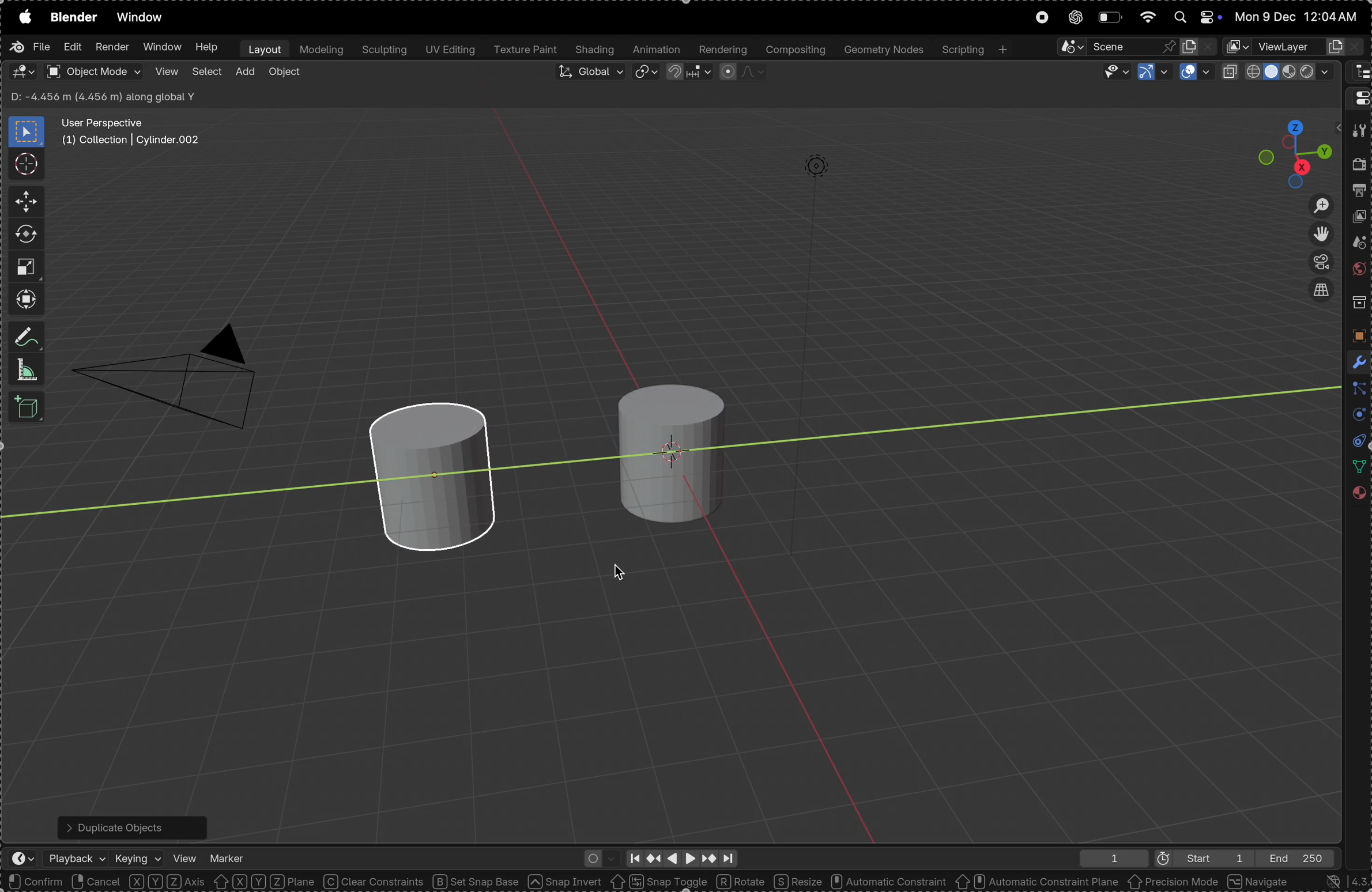 The height and width of the screenshot is (892, 1372). What do you see at coordinates (22, 71) in the screenshot?
I see `editor type` at bounding box center [22, 71].